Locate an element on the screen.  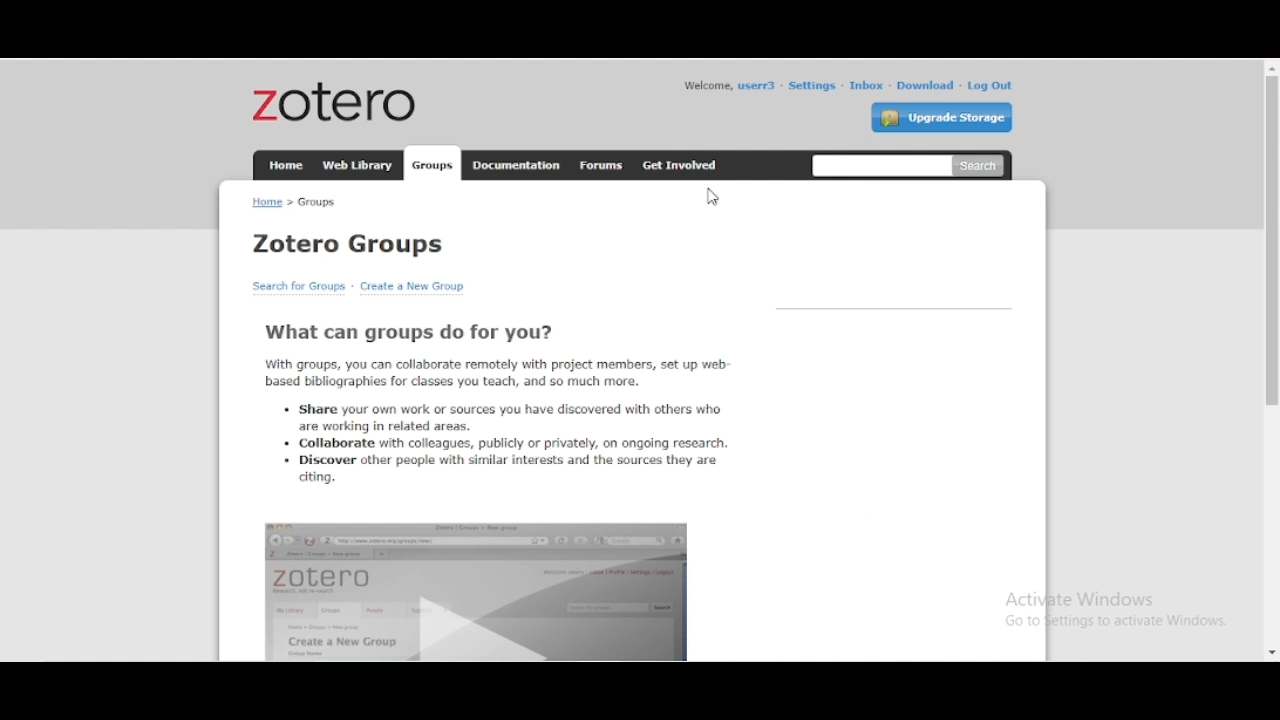
groups is located at coordinates (318, 203).